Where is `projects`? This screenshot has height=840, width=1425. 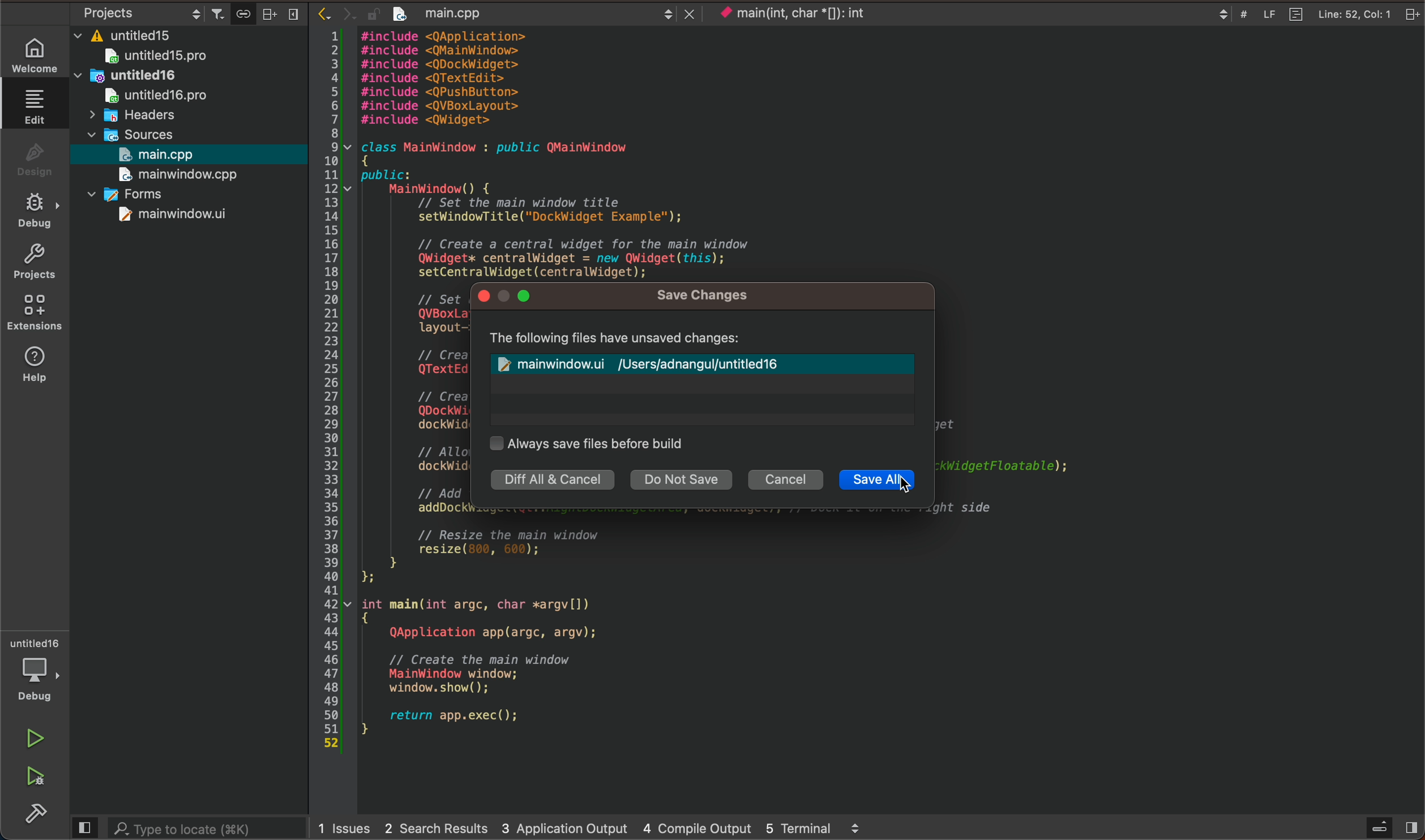
projects is located at coordinates (35, 259).